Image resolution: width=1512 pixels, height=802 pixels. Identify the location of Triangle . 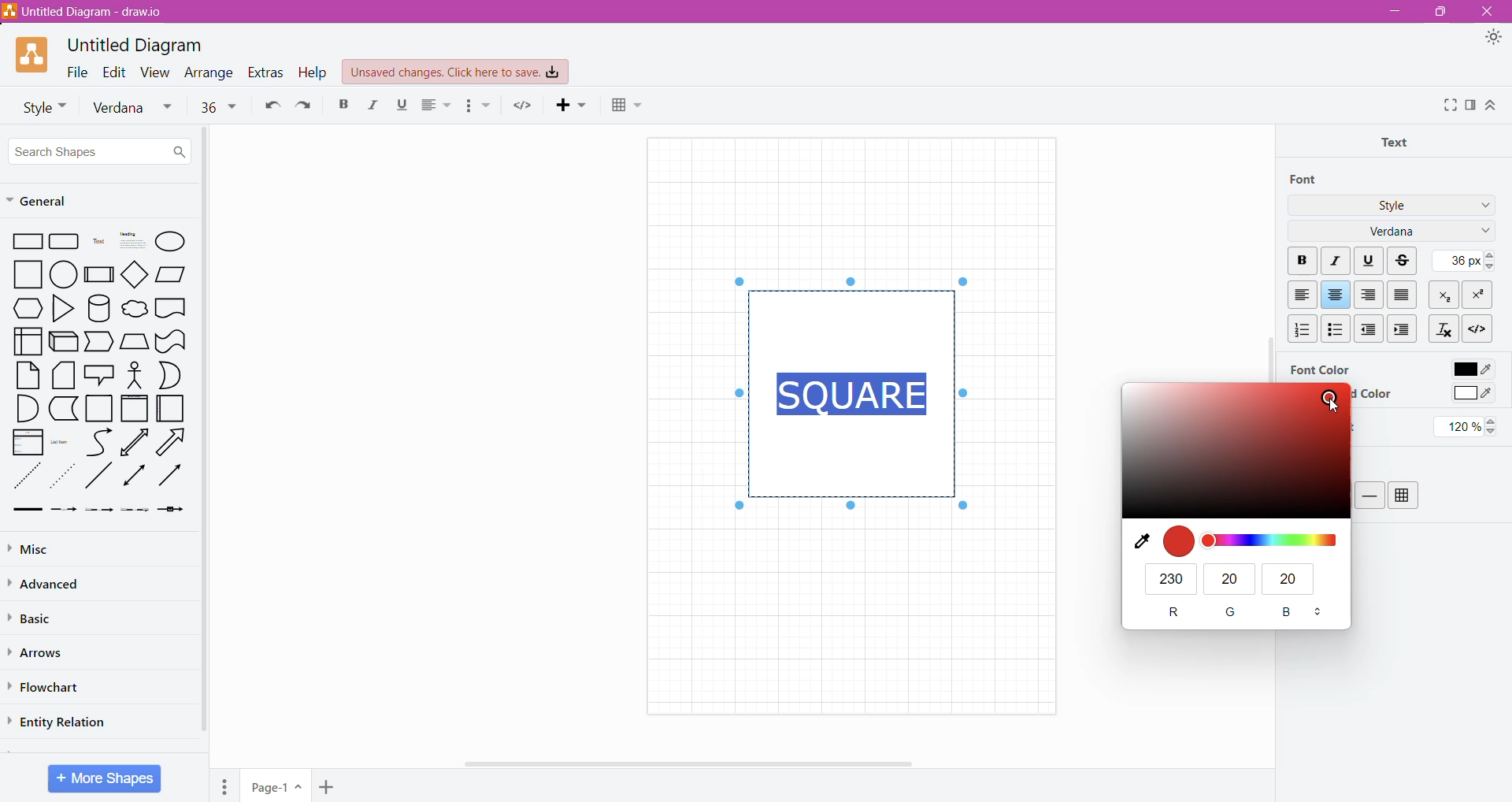
(62, 307).